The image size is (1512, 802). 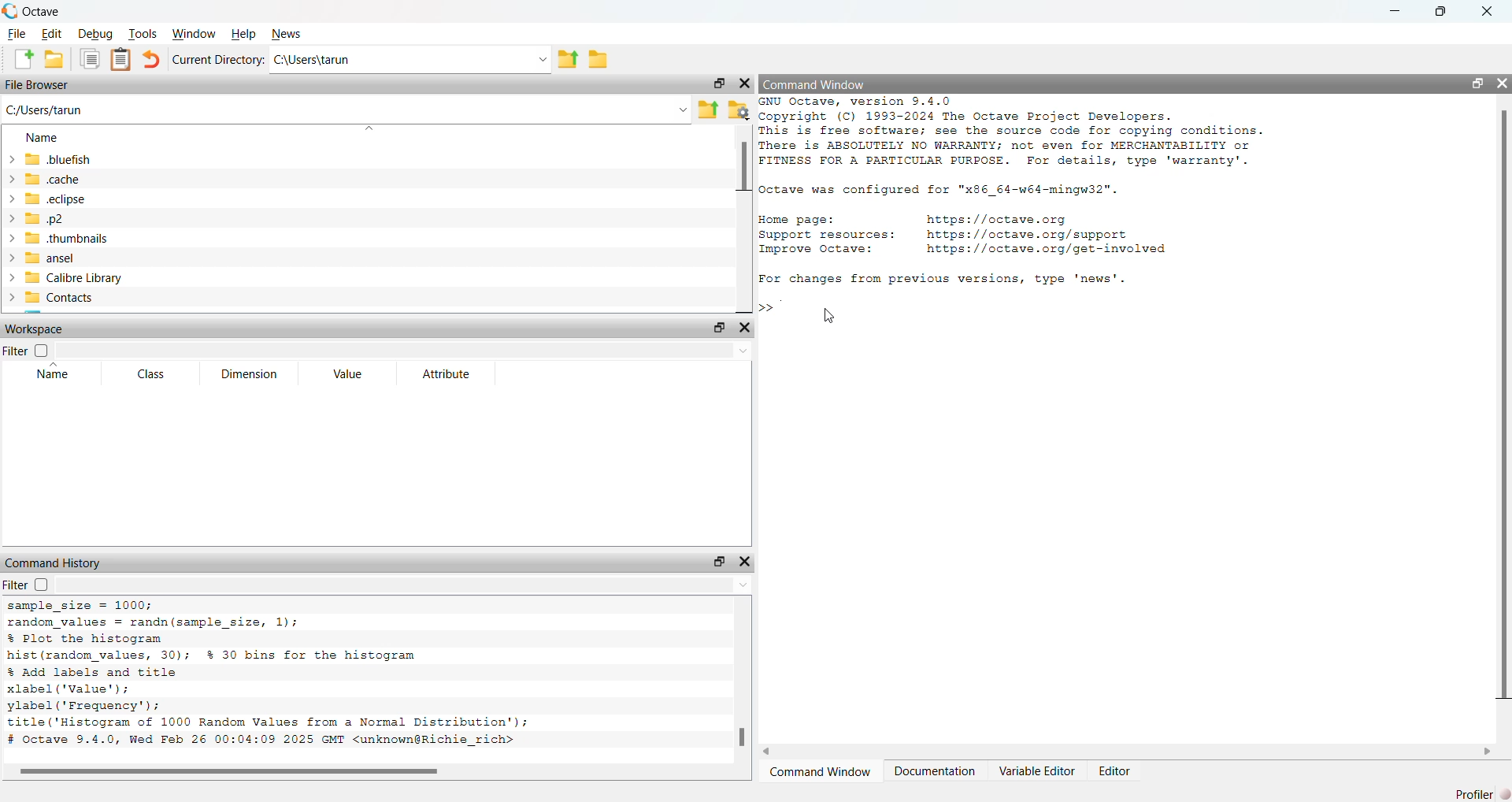 I want to click on For changes from previous versions, type 'news'., so click(x=942, y=279).